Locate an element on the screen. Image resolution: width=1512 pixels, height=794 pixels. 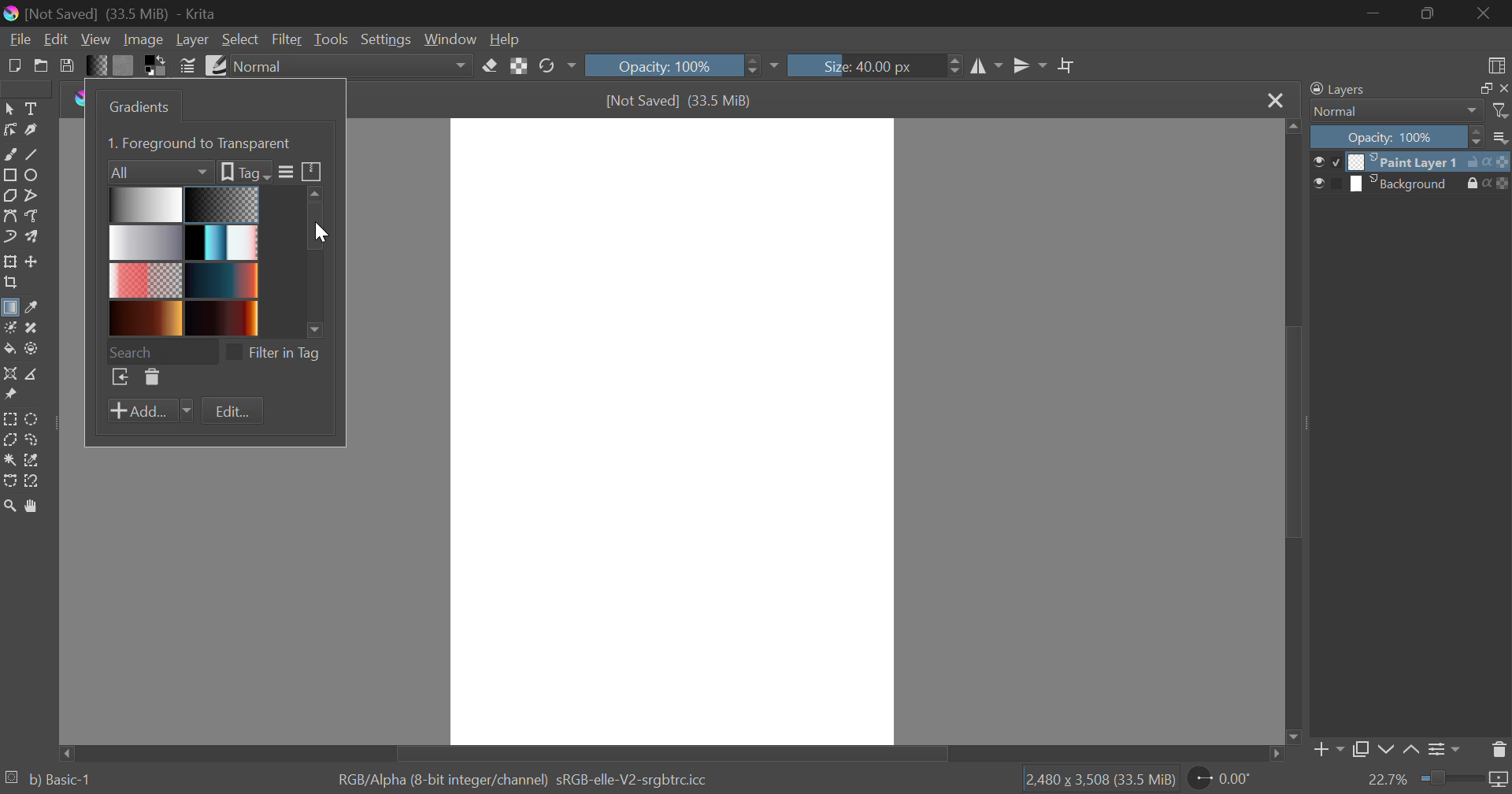
[Not Saved] (33.5 MiB) is located at coordinates (680, 101).